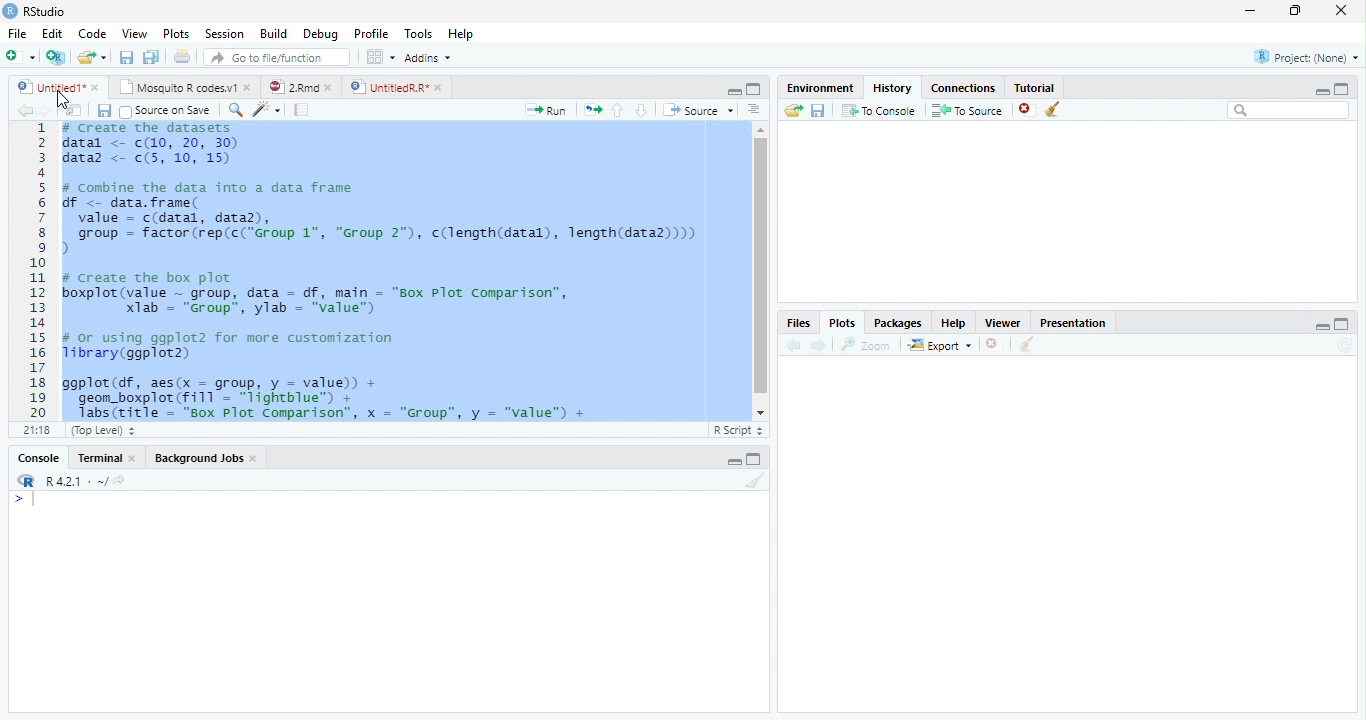 The height and width of the screenshot is (720, 1366). What do you see at coordinates (754, 89) in the screenshot?
I see `Maximize` at bounding box center [754, 89].